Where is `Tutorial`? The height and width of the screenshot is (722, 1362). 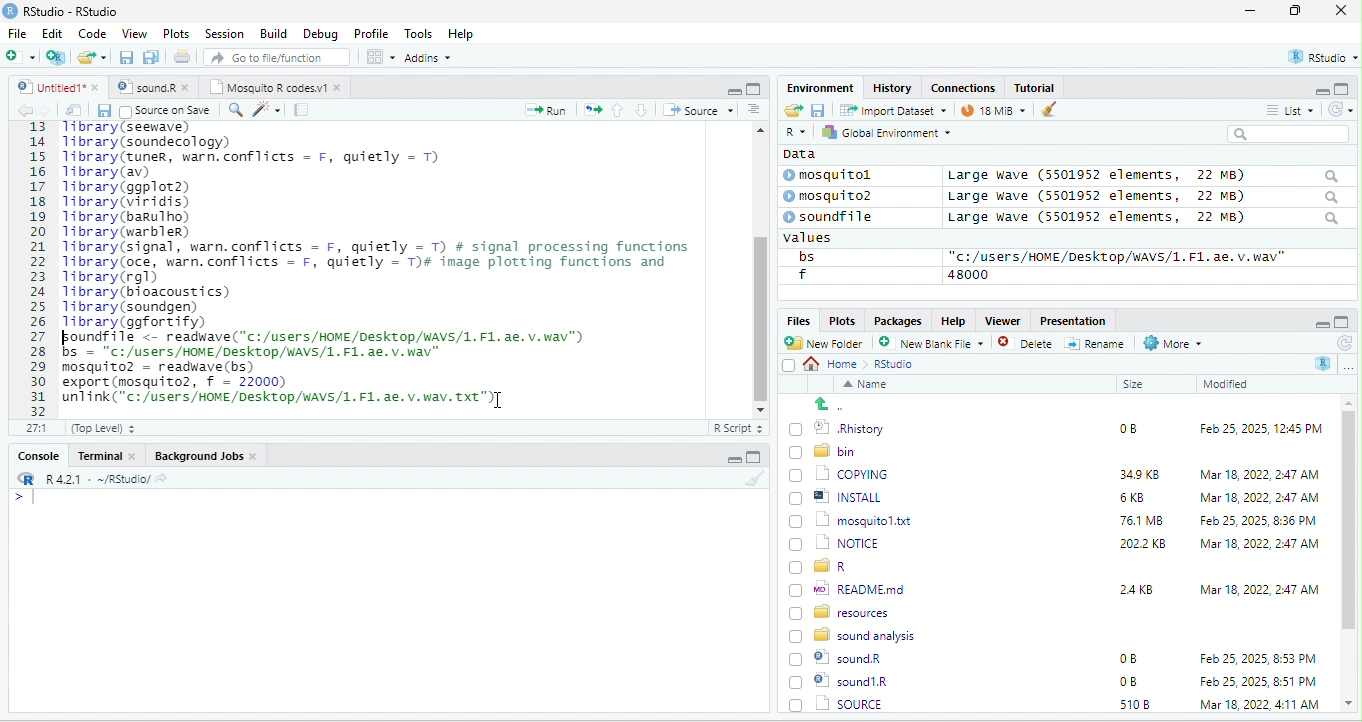 Tutorial is located at coordinates (1037, 87).